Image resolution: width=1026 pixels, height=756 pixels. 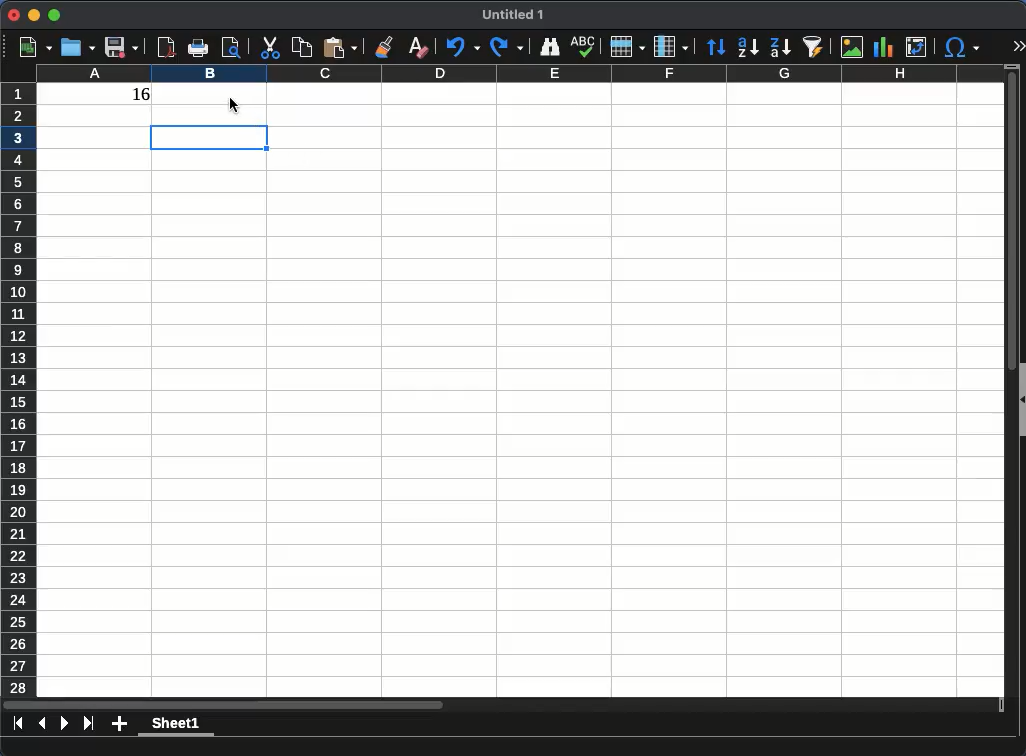 What do you see at coordinates (884, 48) in the screenshot?
I see `chart` at bounding box center [884, 48].